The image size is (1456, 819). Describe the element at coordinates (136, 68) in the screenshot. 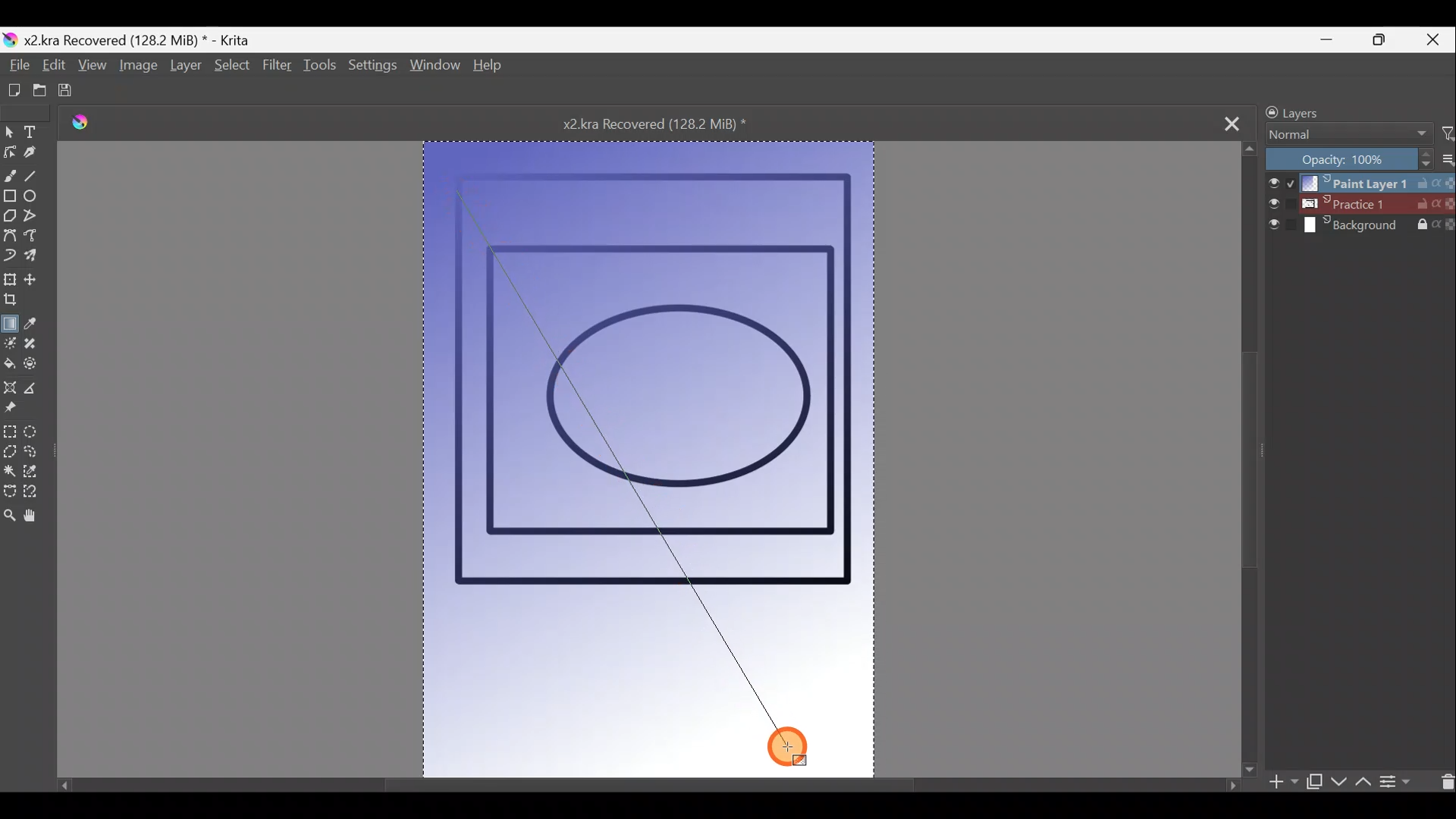

I see `Image` at that location.